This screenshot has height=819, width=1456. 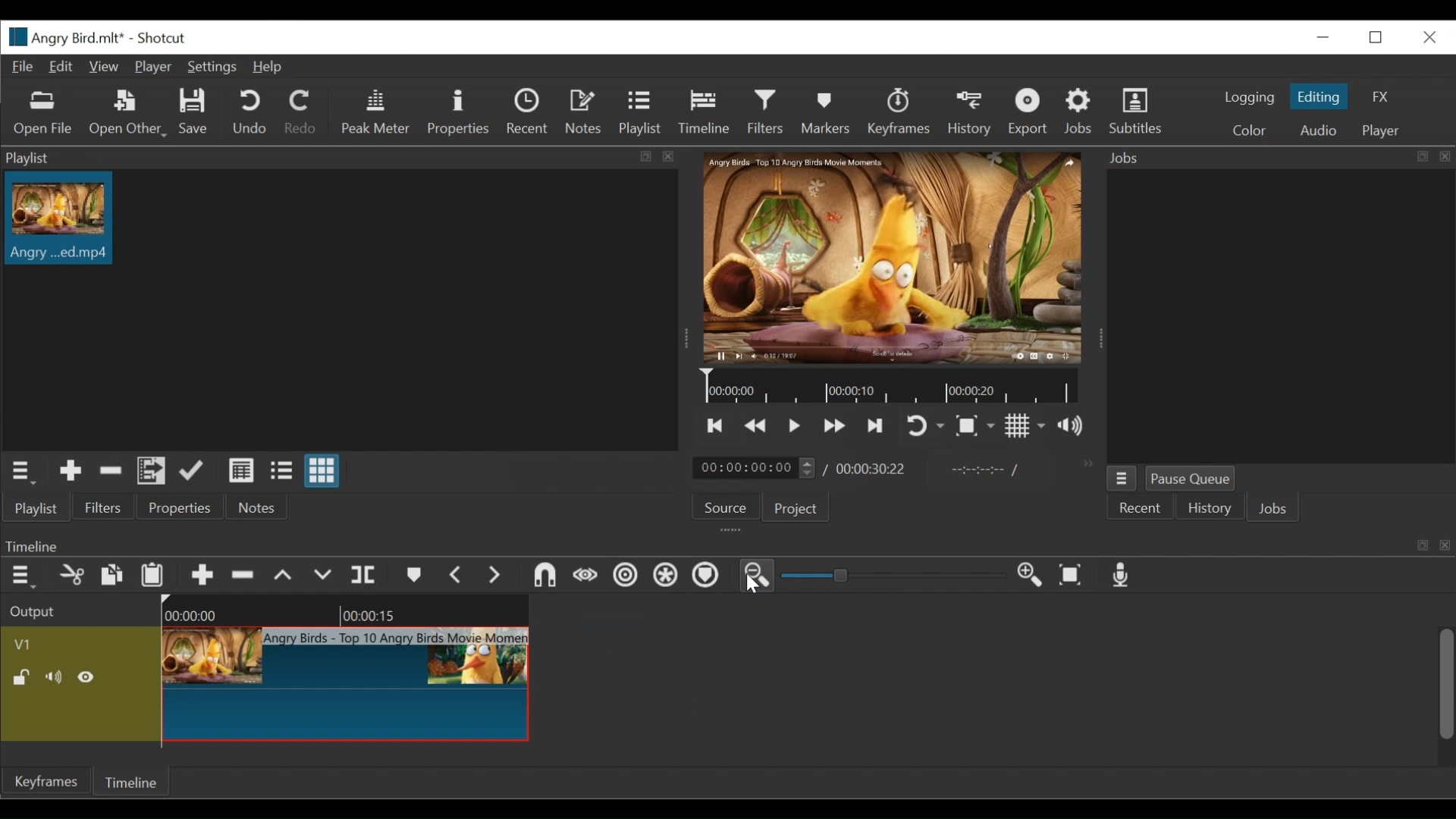 I want to click on (un)lock track, so click(x=22, y=678).